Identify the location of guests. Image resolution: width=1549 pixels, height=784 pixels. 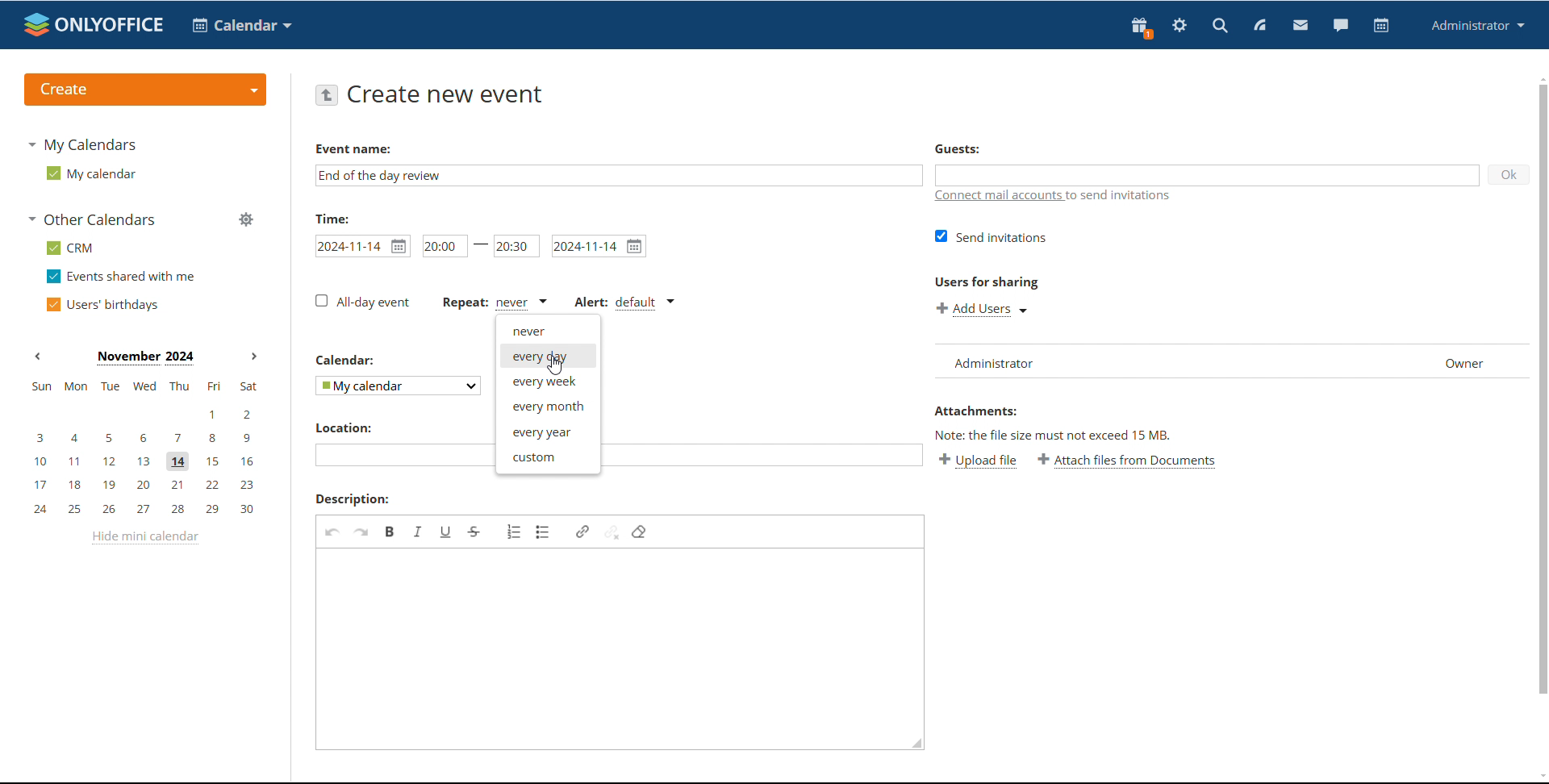
(957, 148).